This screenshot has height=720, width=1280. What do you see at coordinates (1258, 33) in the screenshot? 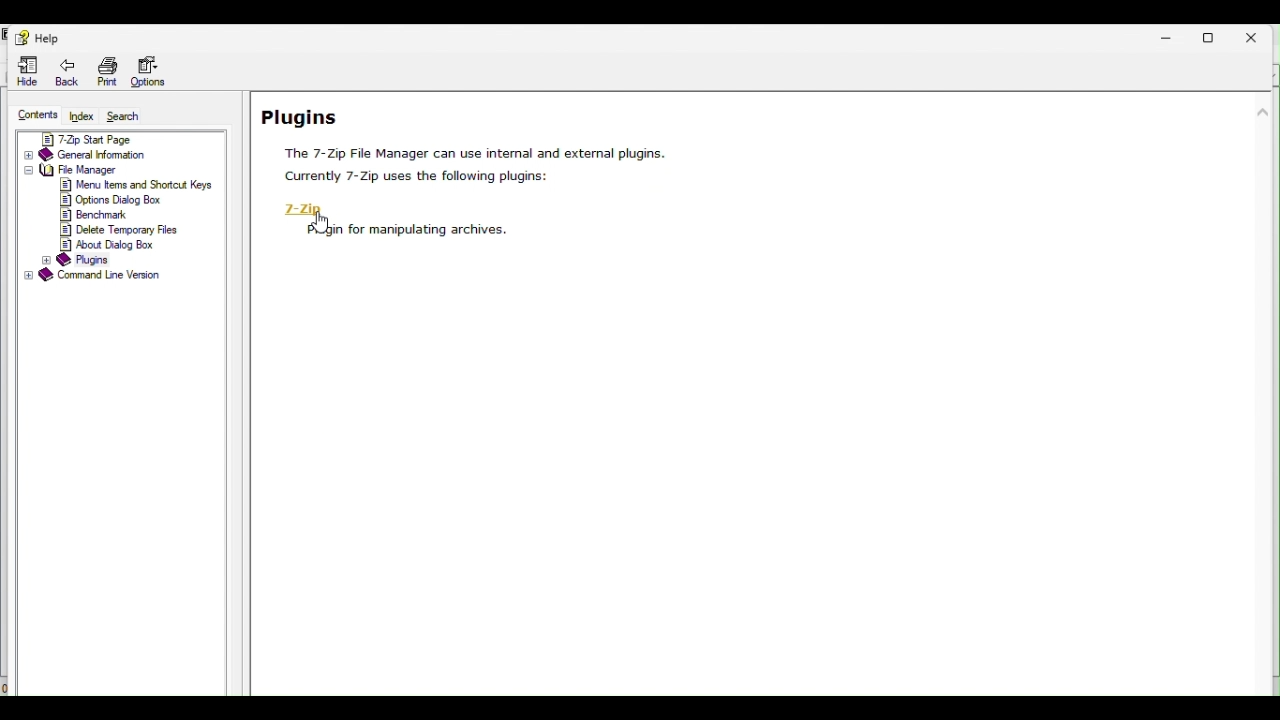
I see `close` at bounding box center [1258, 33].